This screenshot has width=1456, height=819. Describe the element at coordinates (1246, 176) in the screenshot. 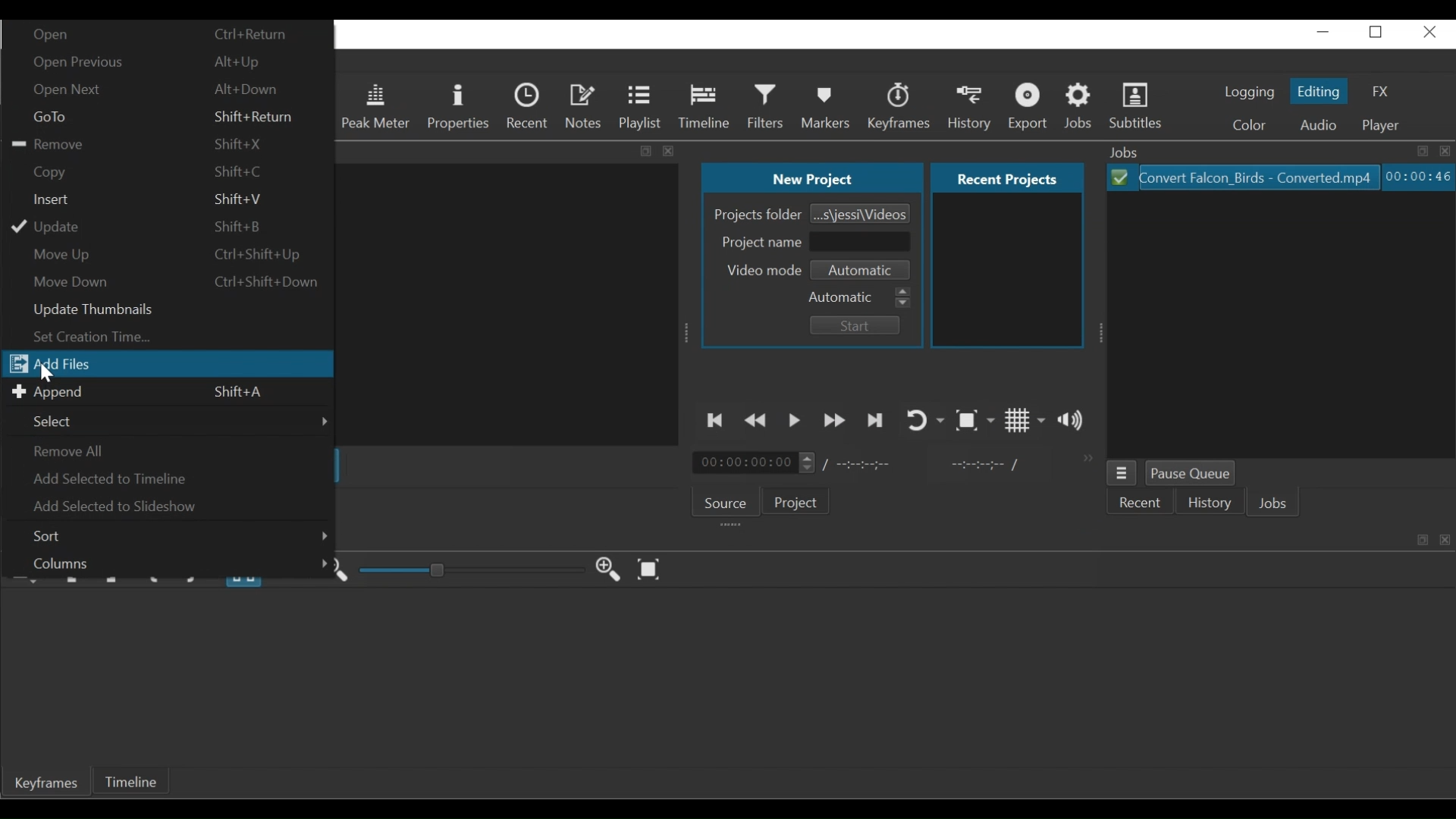

I see `File` at that location.